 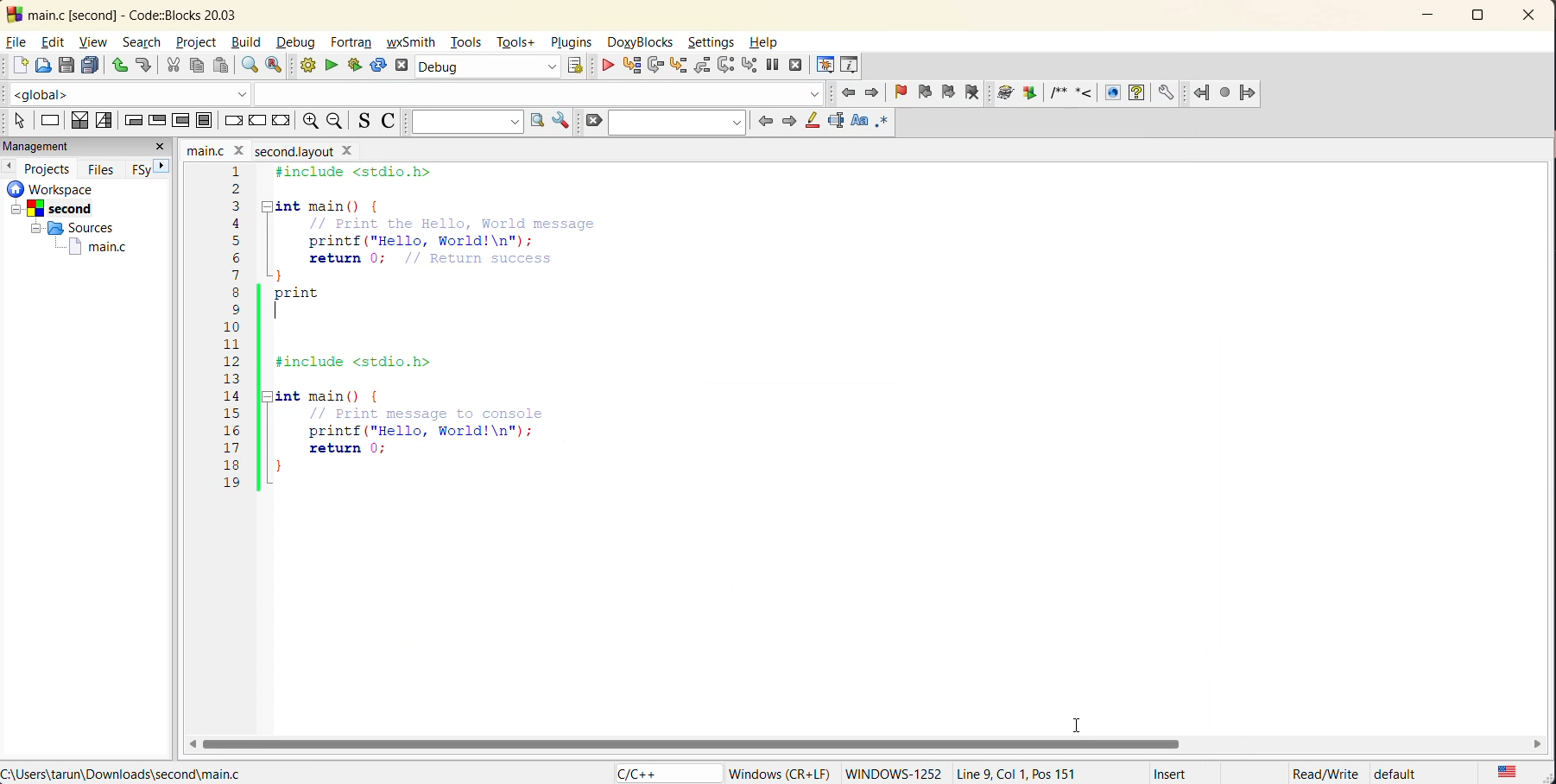 What do you see at coordinates (73, 146) in the screenshot?
I see `management` at bounding box center [73, 146].